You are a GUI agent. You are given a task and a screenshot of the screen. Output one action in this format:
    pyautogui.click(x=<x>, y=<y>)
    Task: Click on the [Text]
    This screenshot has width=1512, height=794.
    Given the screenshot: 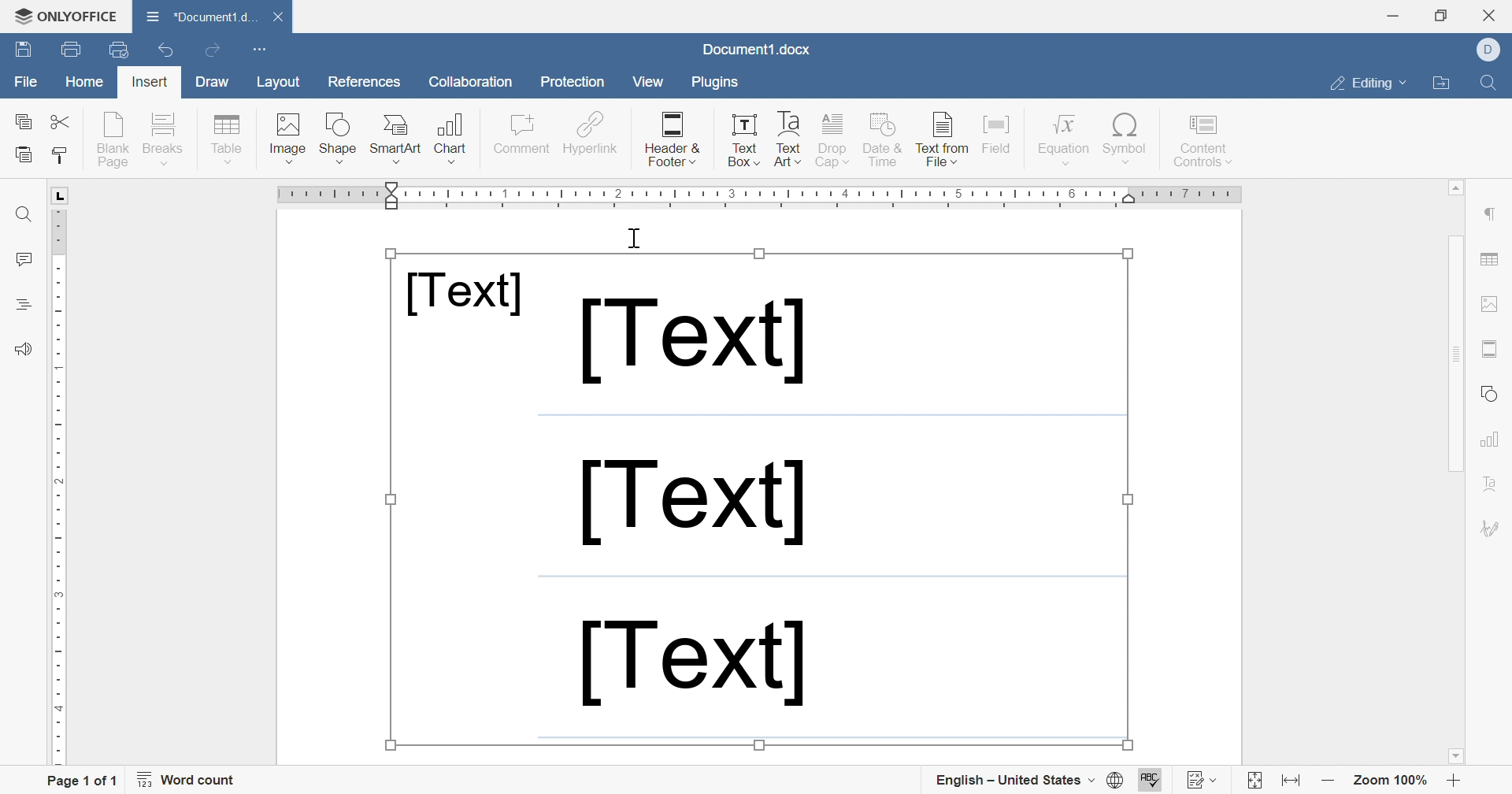 What is the action you would take?
    pyautogui.click(x=691, y=341)
    